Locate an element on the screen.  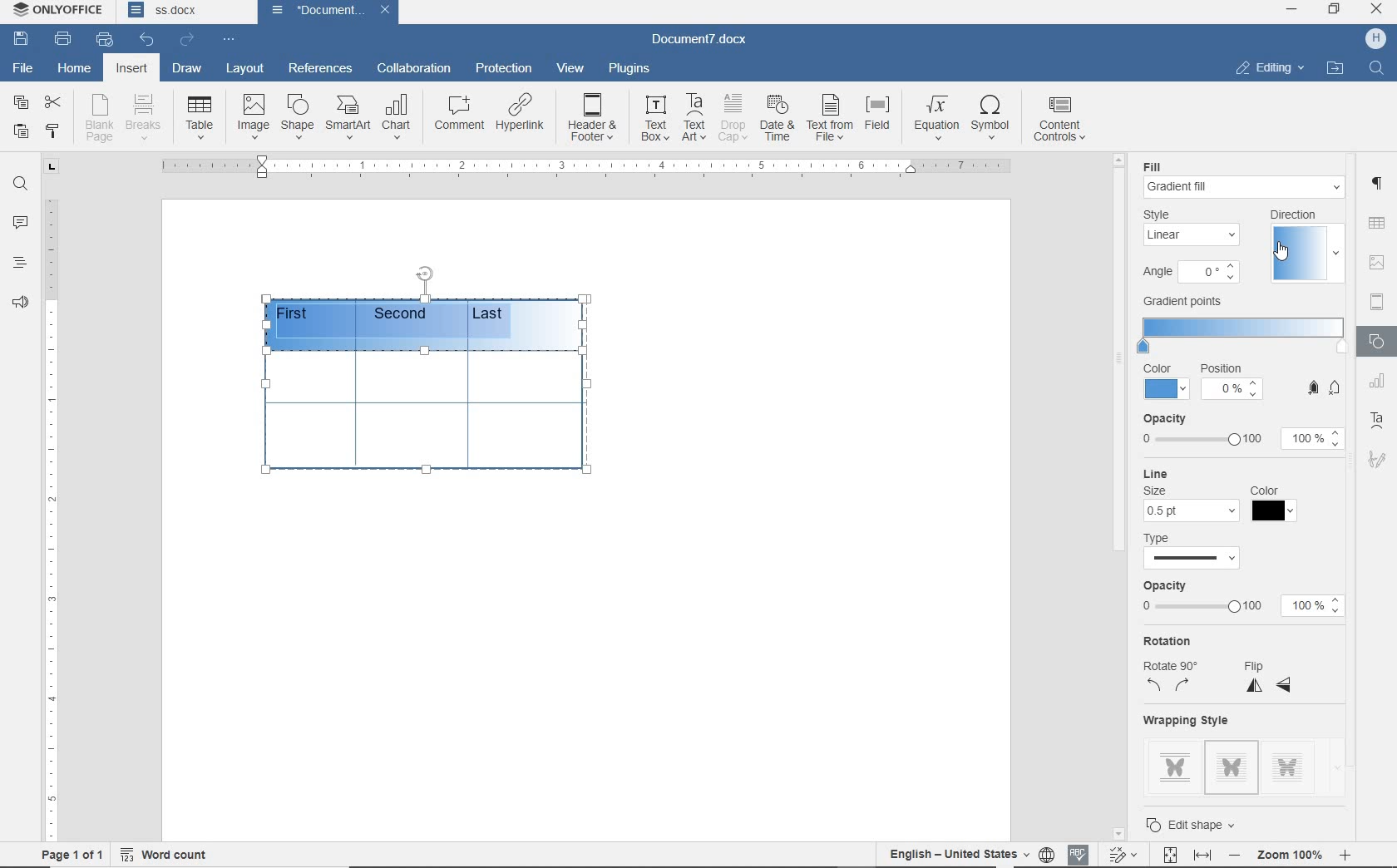
wrapping style is located at coordinates (1196, 723).